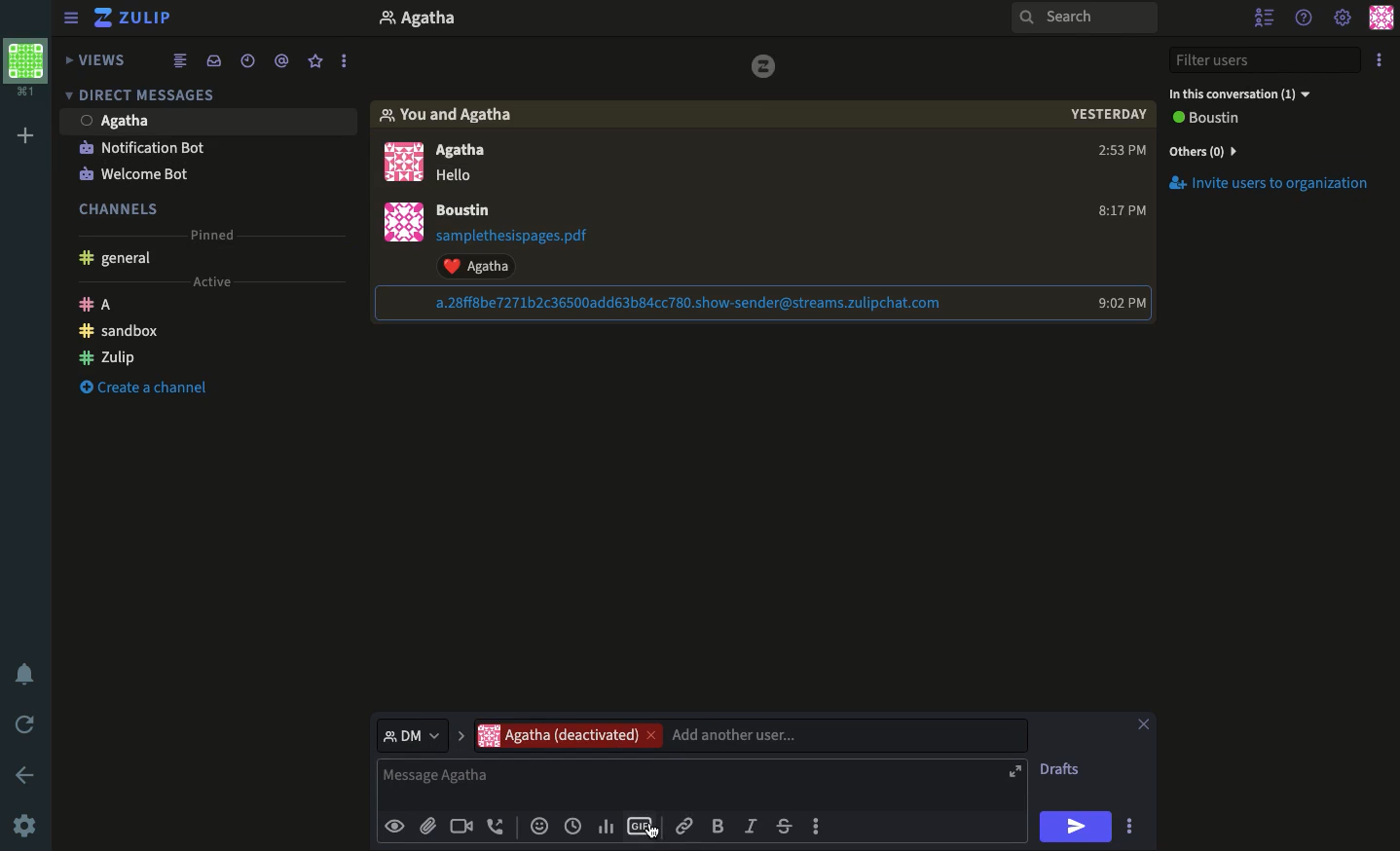 The width and height of the screenshot is (1400, 851). What do you see at coordinates (145, 98) in the screenshot?
I see `DM` at bounding box center [145, 98].